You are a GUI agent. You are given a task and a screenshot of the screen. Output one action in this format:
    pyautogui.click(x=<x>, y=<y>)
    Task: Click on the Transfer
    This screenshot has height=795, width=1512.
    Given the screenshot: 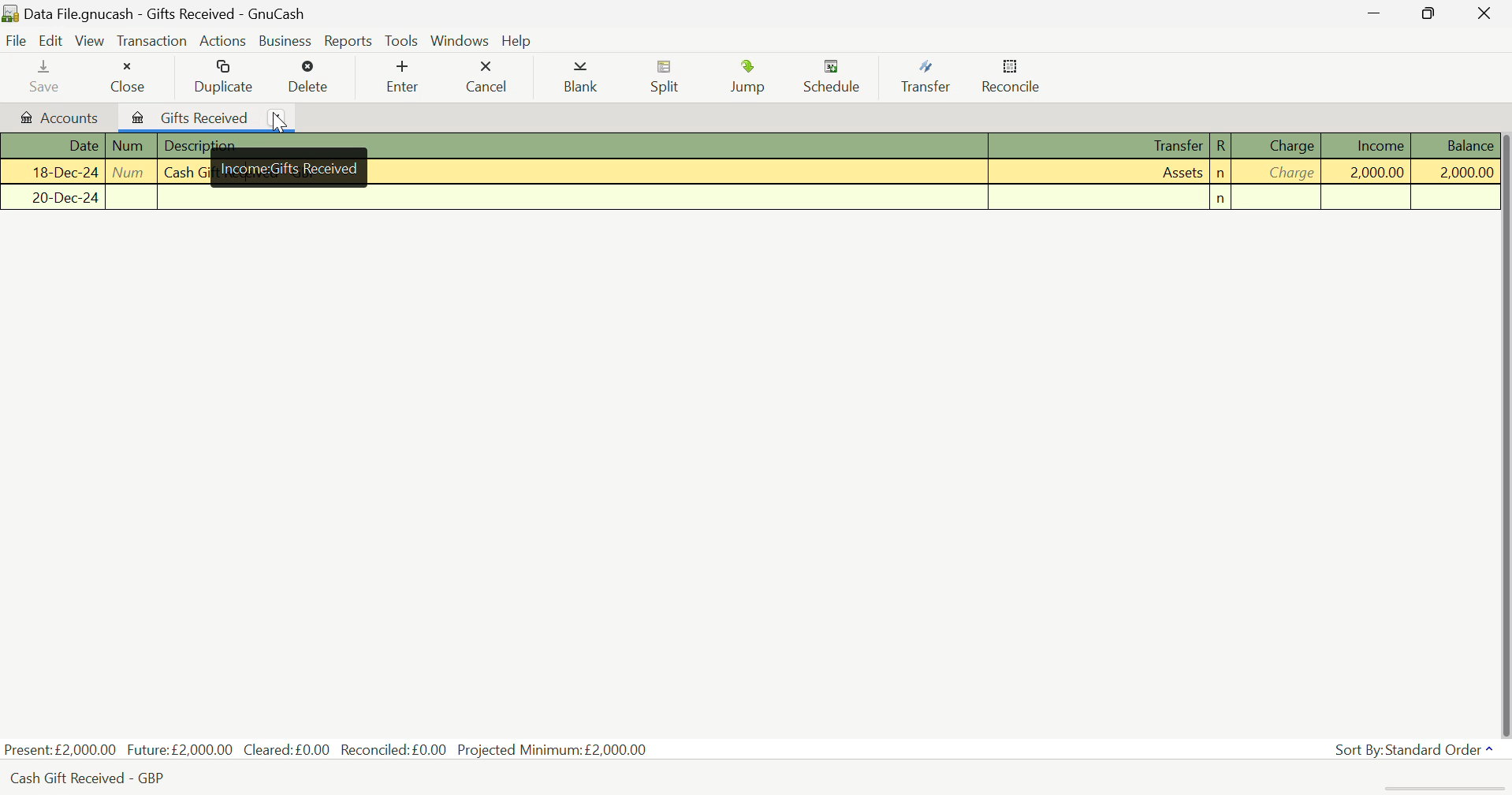 What is the action you would take?
    pyautogui.click(x=1103, y=198)
    